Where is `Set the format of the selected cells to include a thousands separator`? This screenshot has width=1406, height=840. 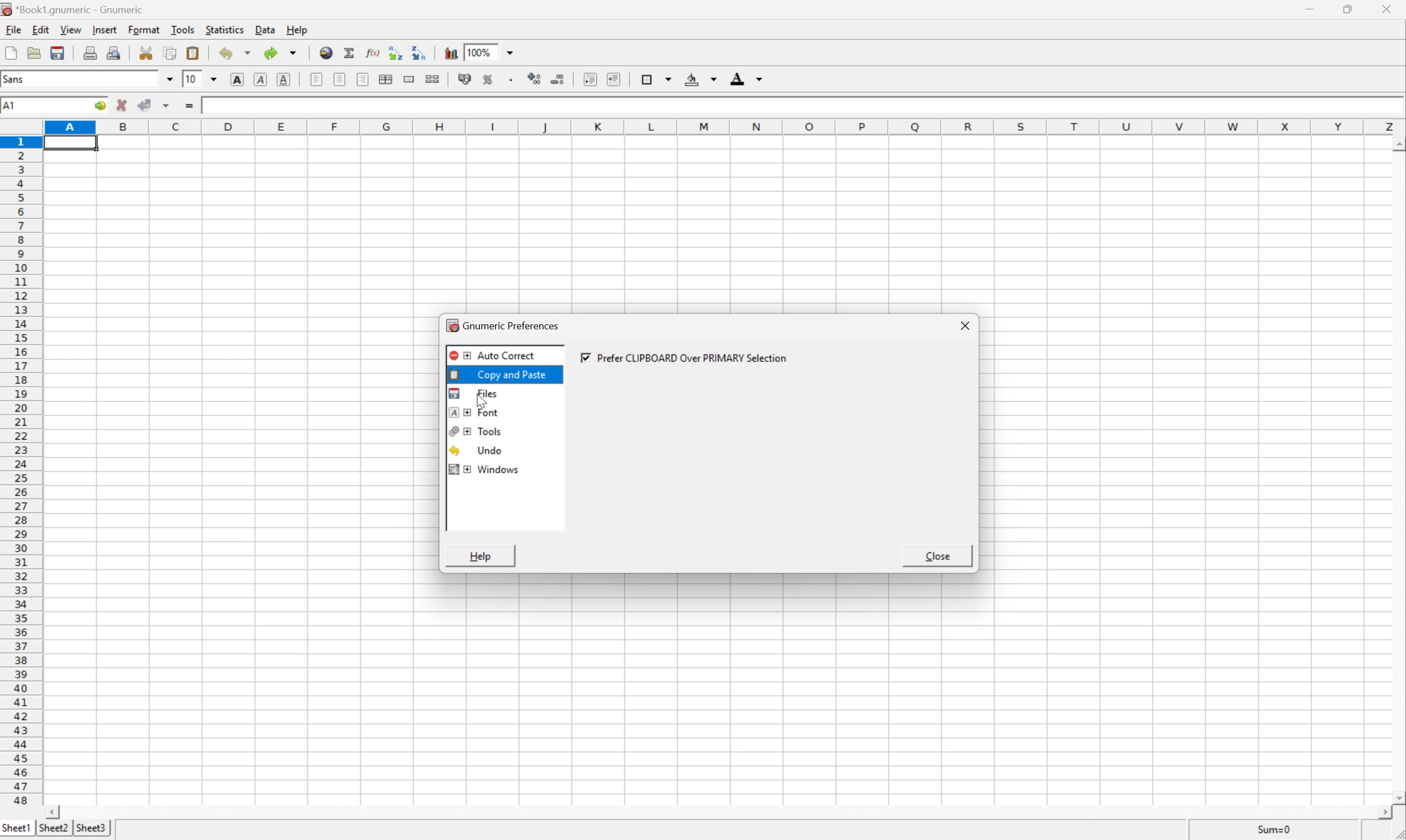 Set the format of the selected cells to include a thousands separator is located at coordinates (509, 80).